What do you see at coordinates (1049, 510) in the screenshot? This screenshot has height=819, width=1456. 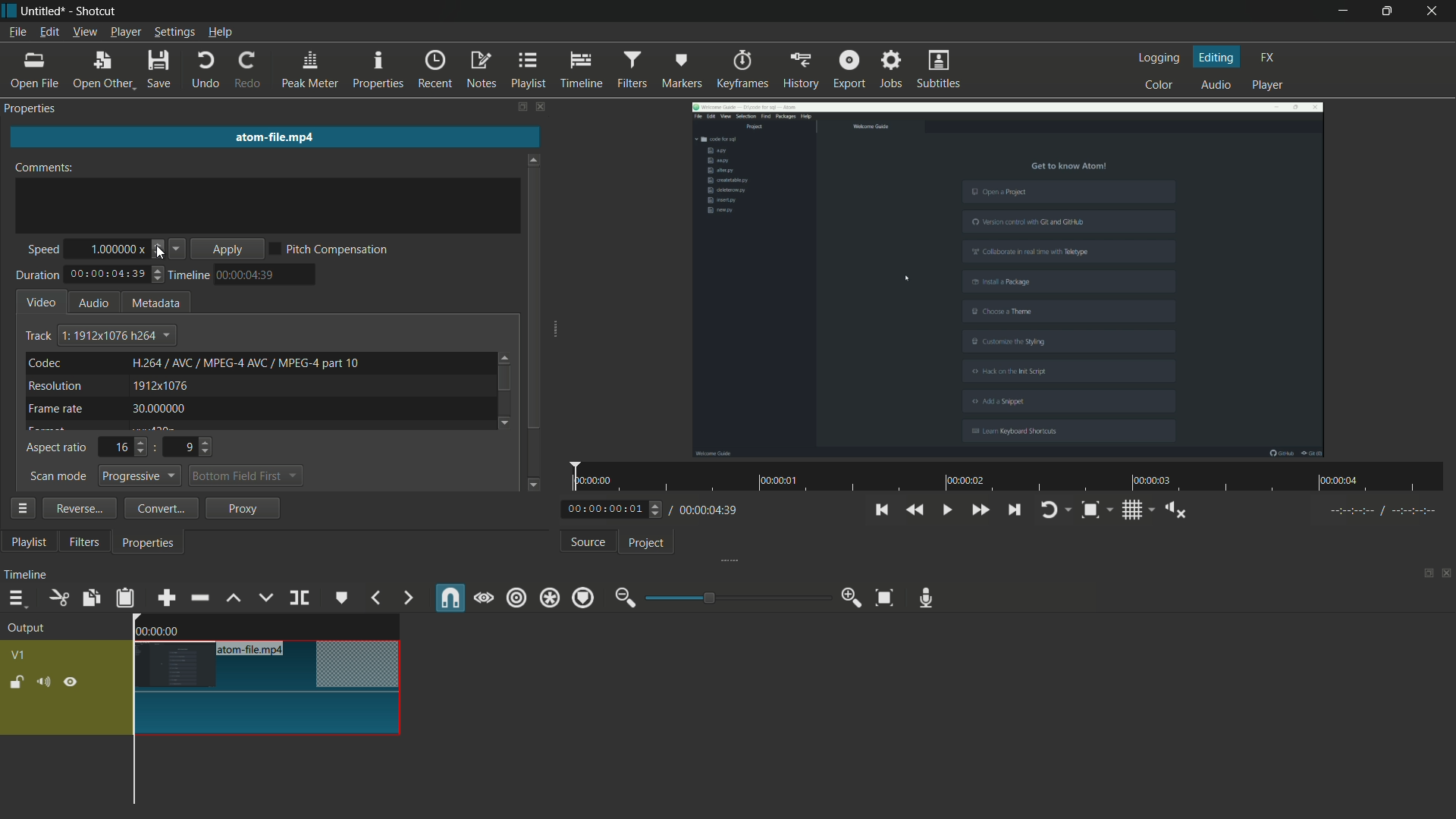 I see `toggle player looping` at bounding box center [1049, 510].